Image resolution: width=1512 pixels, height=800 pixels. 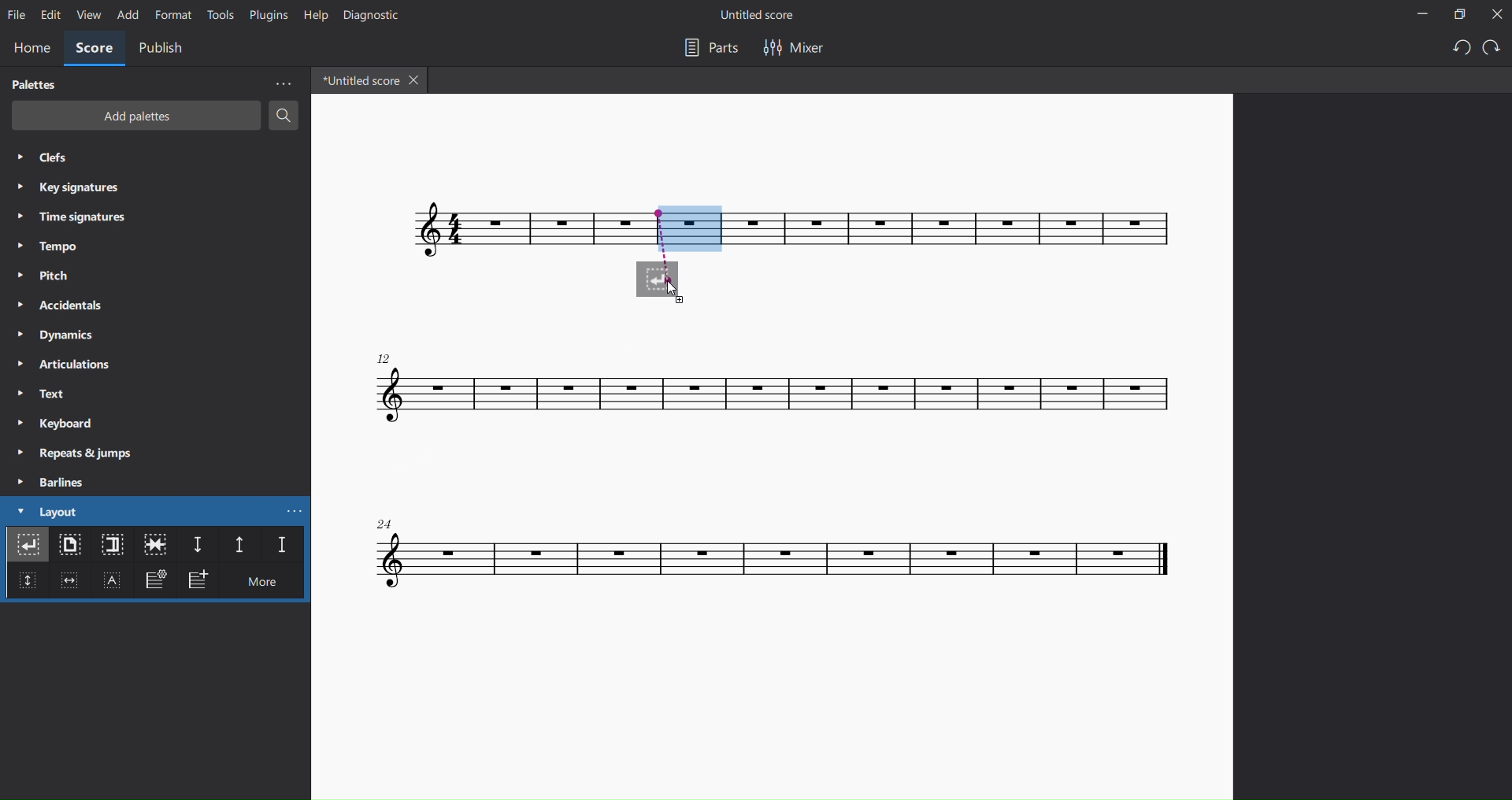 I want to click on insert horizontal frame, so click(x=69, y=584).